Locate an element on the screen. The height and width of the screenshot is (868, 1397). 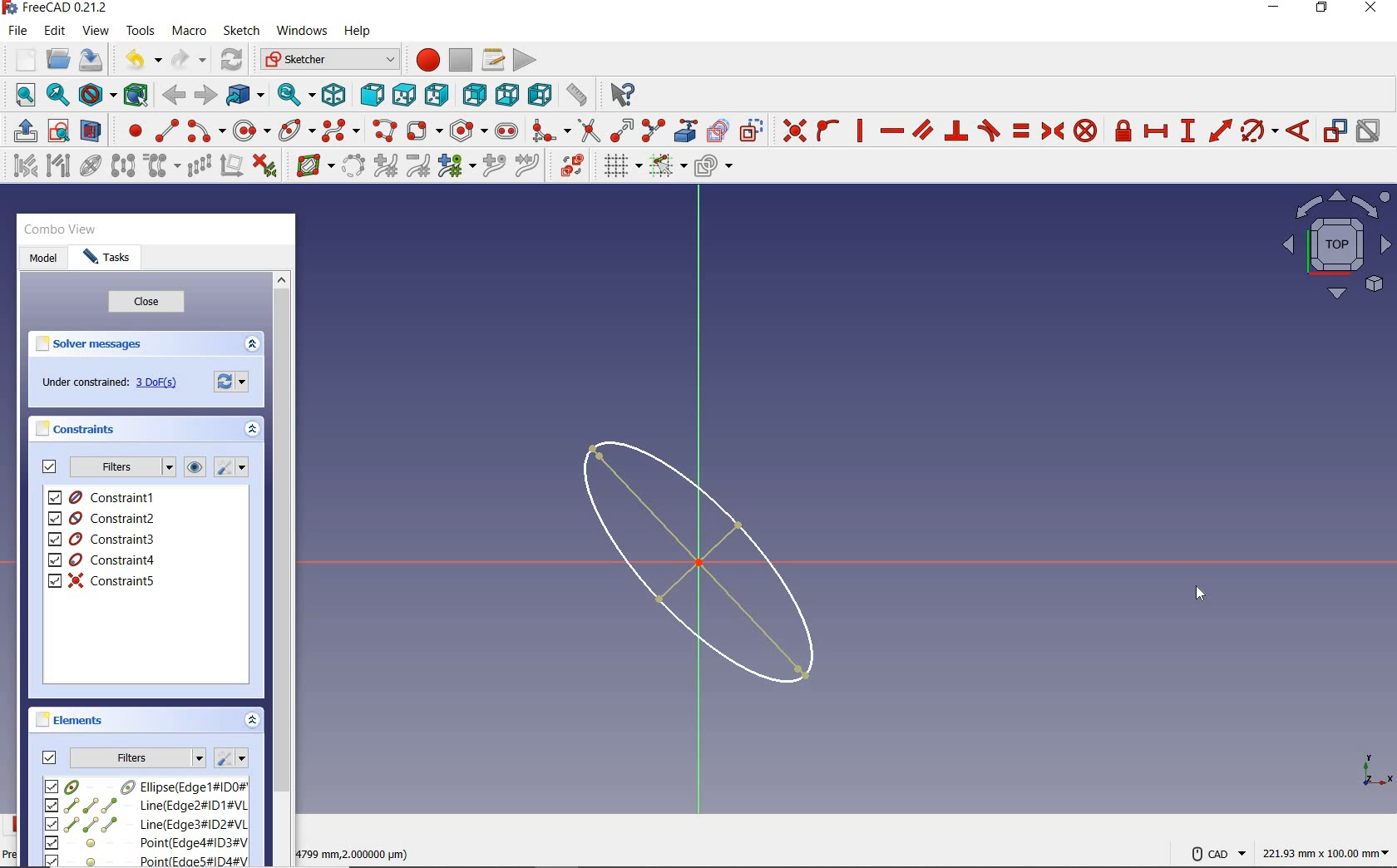
clone is located at coordinates (160, 166).